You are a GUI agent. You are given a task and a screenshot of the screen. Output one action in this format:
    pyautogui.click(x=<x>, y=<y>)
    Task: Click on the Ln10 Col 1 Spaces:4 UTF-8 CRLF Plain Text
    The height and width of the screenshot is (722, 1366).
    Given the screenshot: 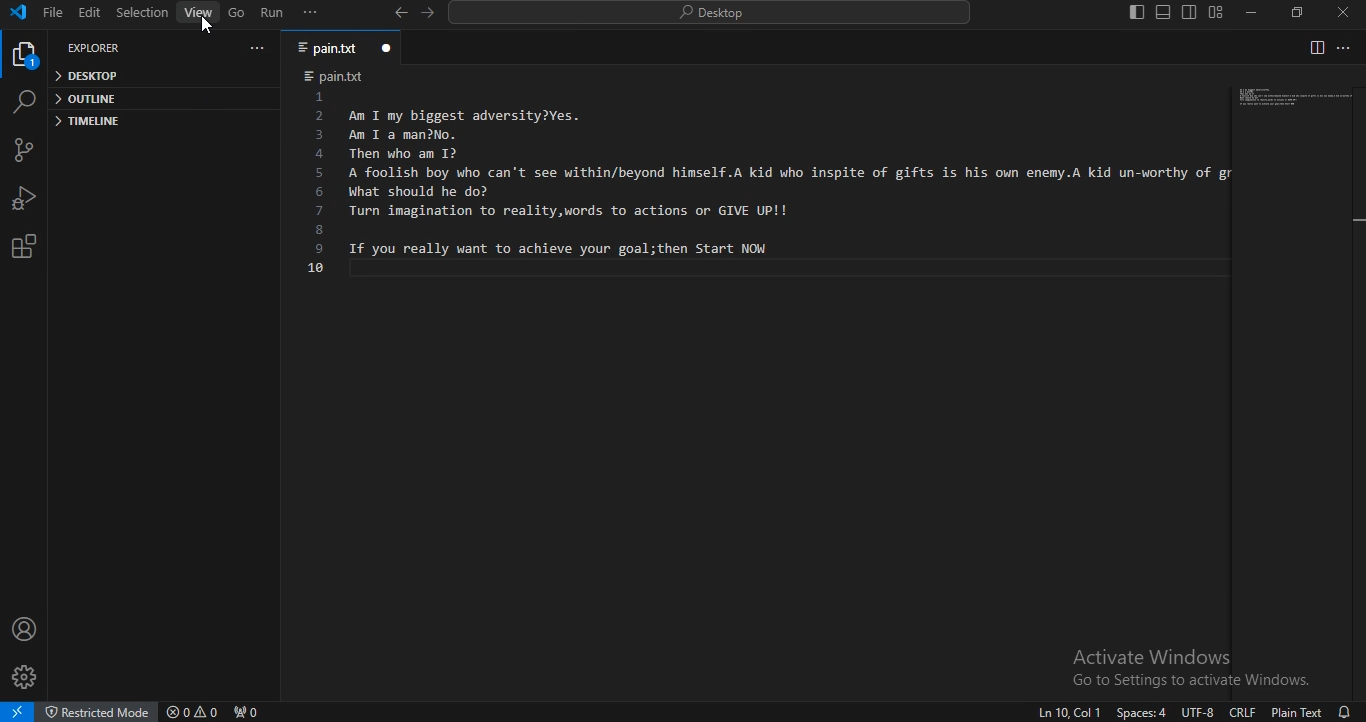 What is the action you would take?
    pyautogui.click(x=1174, y=712)
    